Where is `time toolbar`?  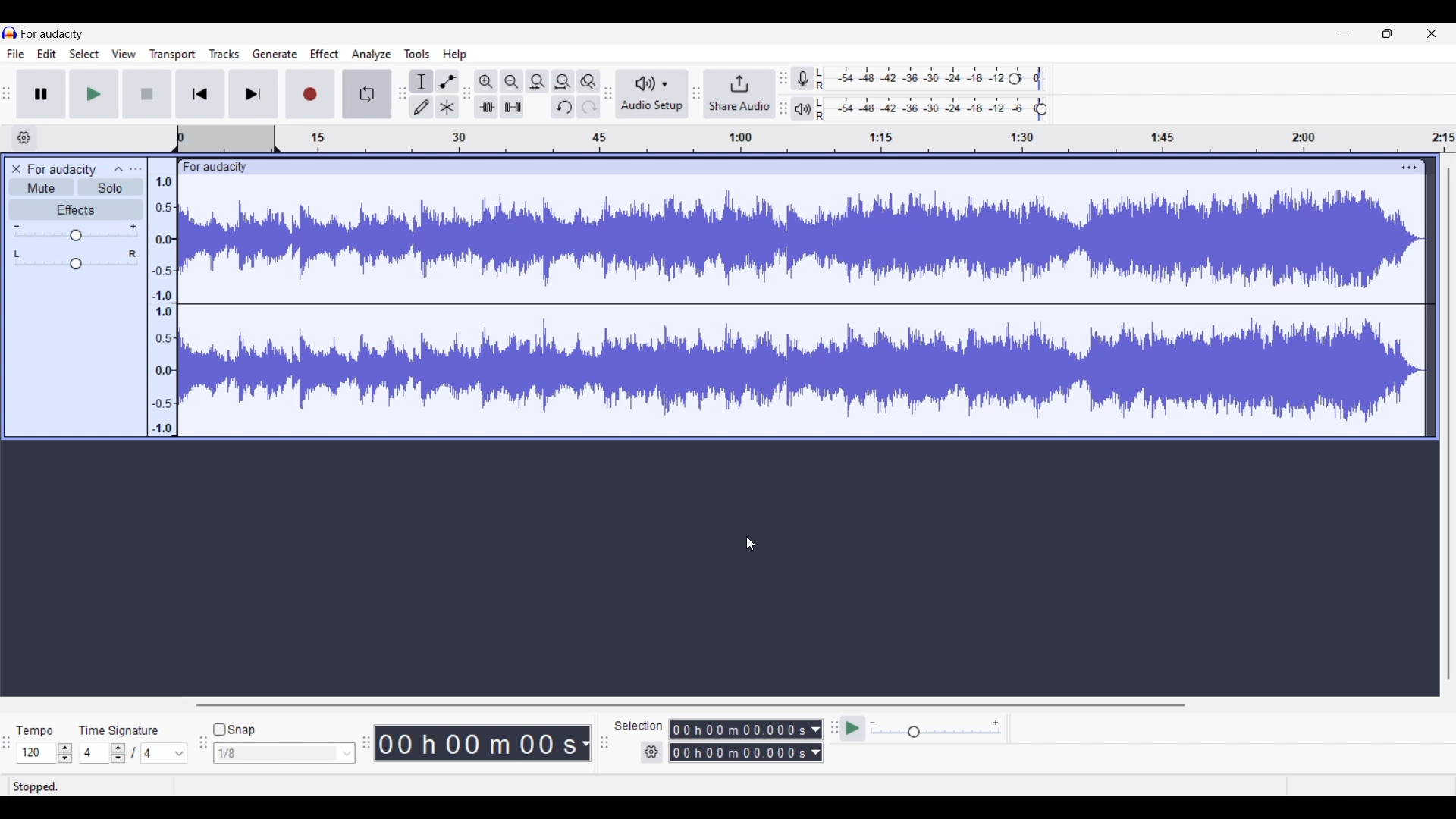
time toolbar is located at coordinates (368, 748).